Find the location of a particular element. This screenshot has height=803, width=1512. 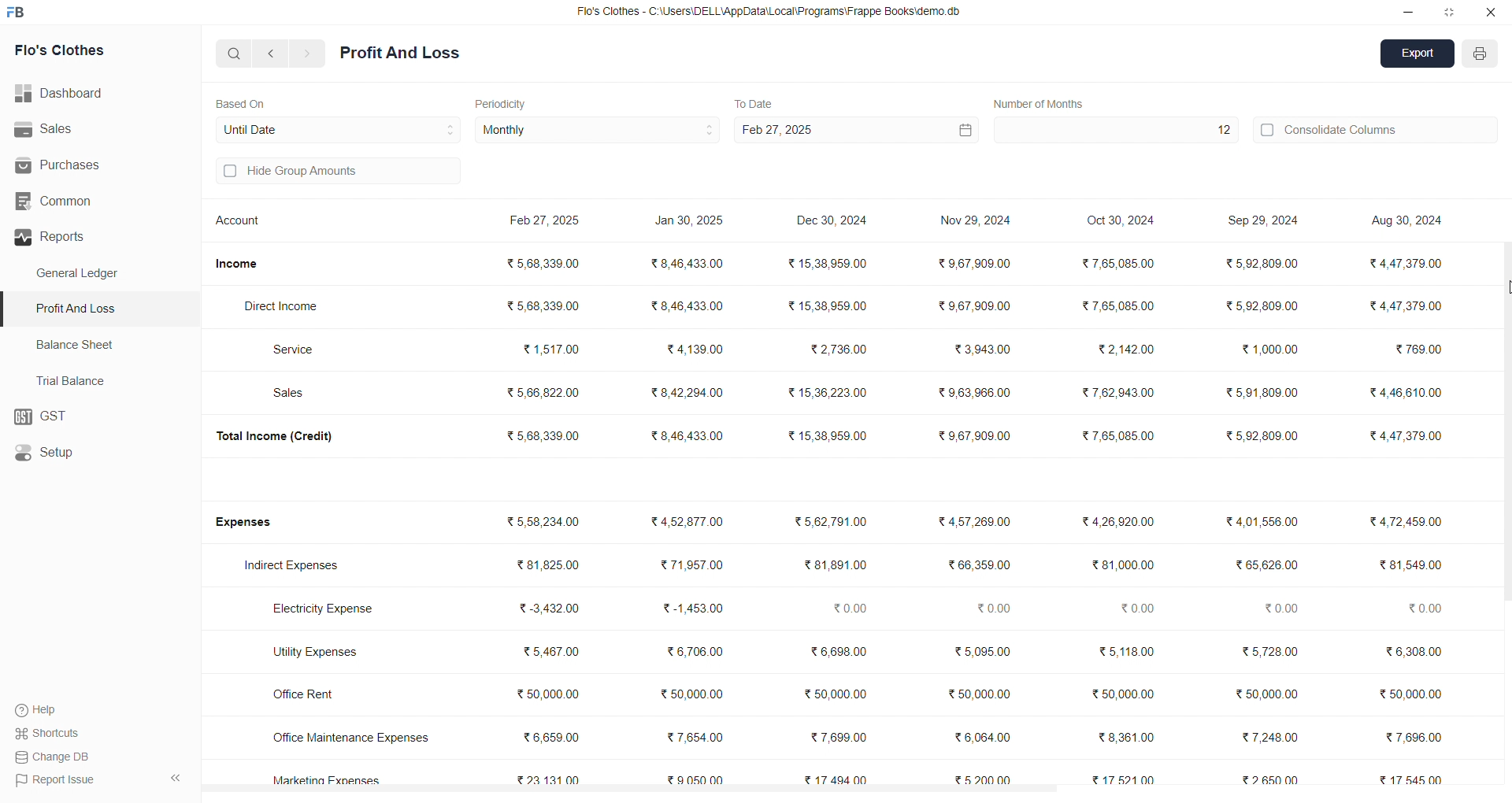

₹7,248.00 is located at coordinates (1271, 737).